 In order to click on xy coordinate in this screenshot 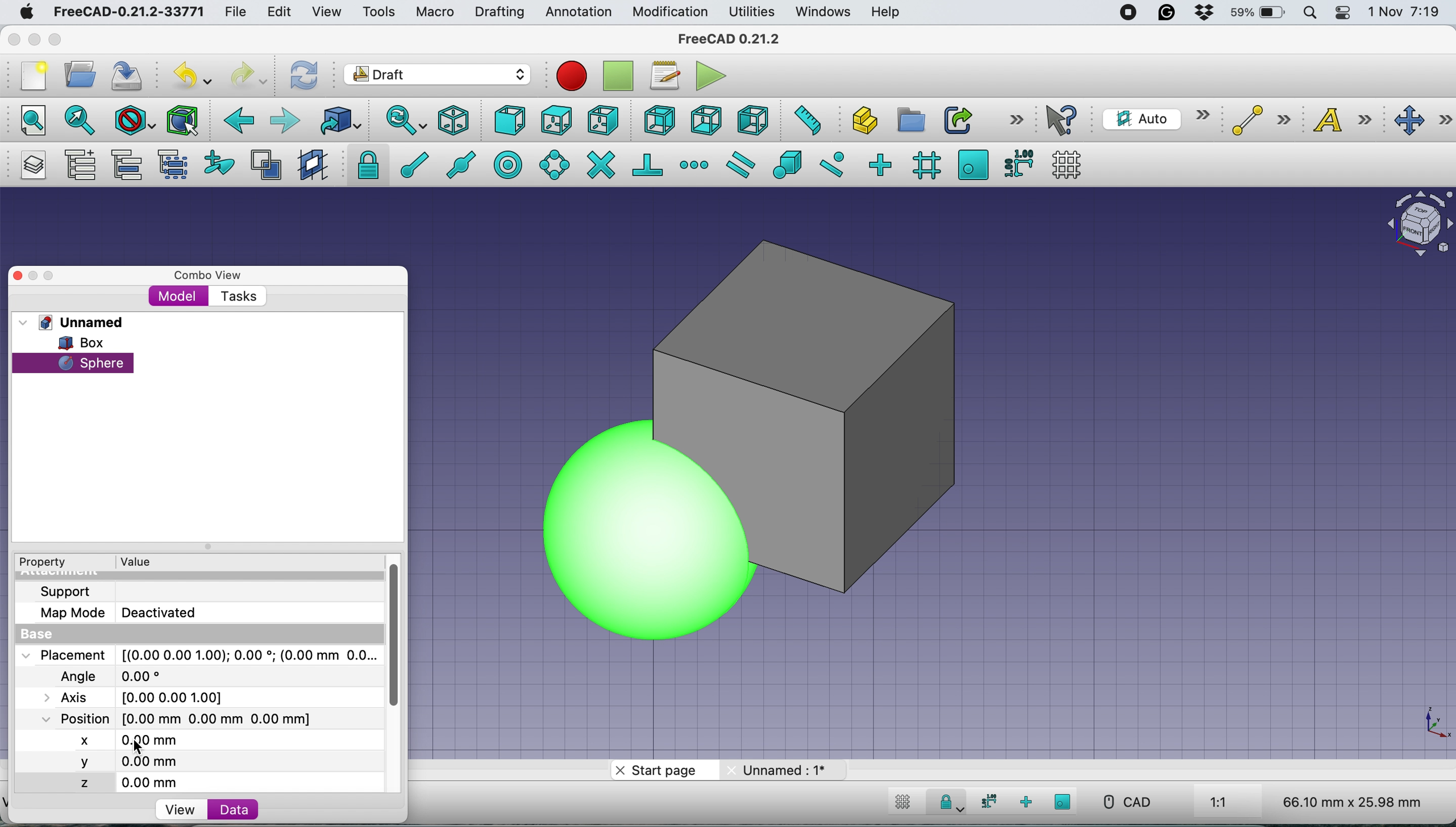, I will do `click(1424, 724)`.